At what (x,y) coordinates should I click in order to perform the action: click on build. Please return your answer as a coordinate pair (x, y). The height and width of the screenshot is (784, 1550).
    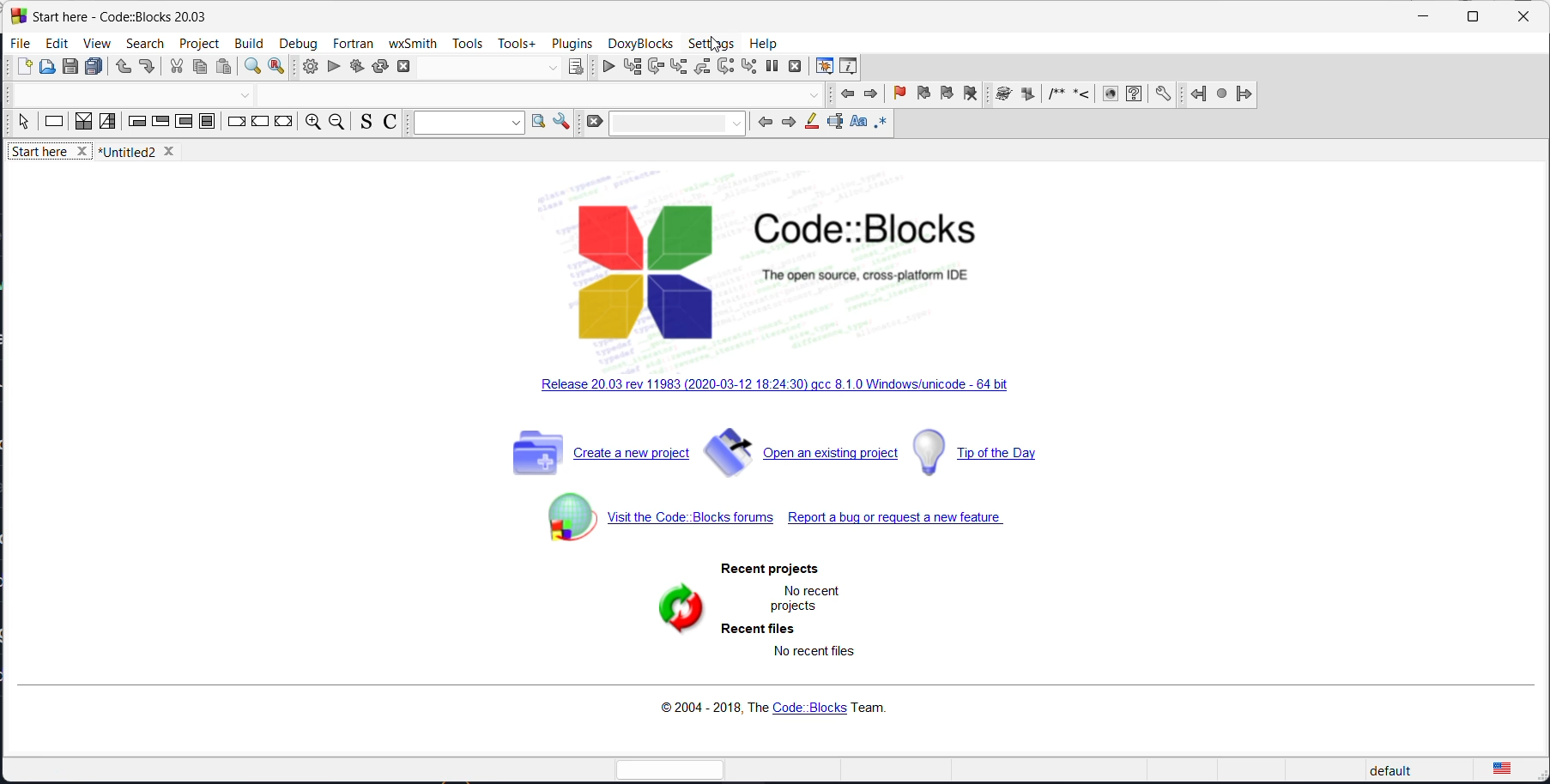
    Looking at the image, I should click on (306, 67).